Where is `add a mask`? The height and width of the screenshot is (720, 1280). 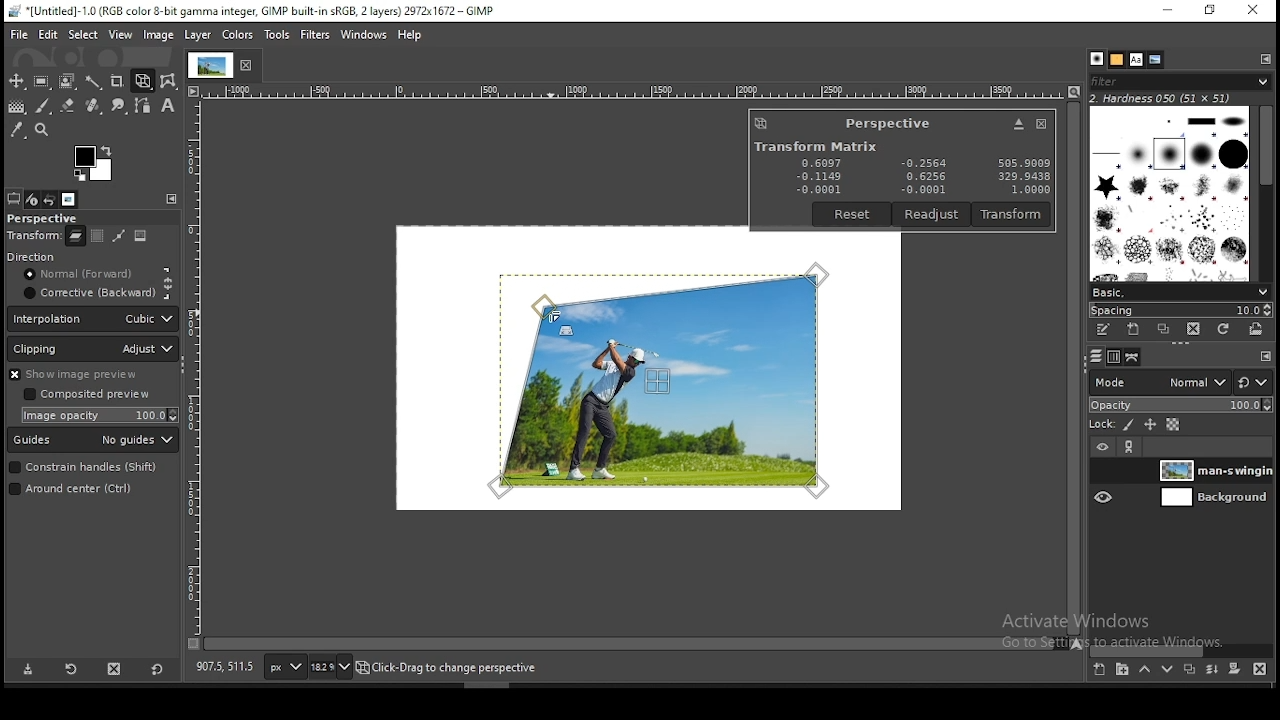
add a mask is located at coordinates (1231, 668).